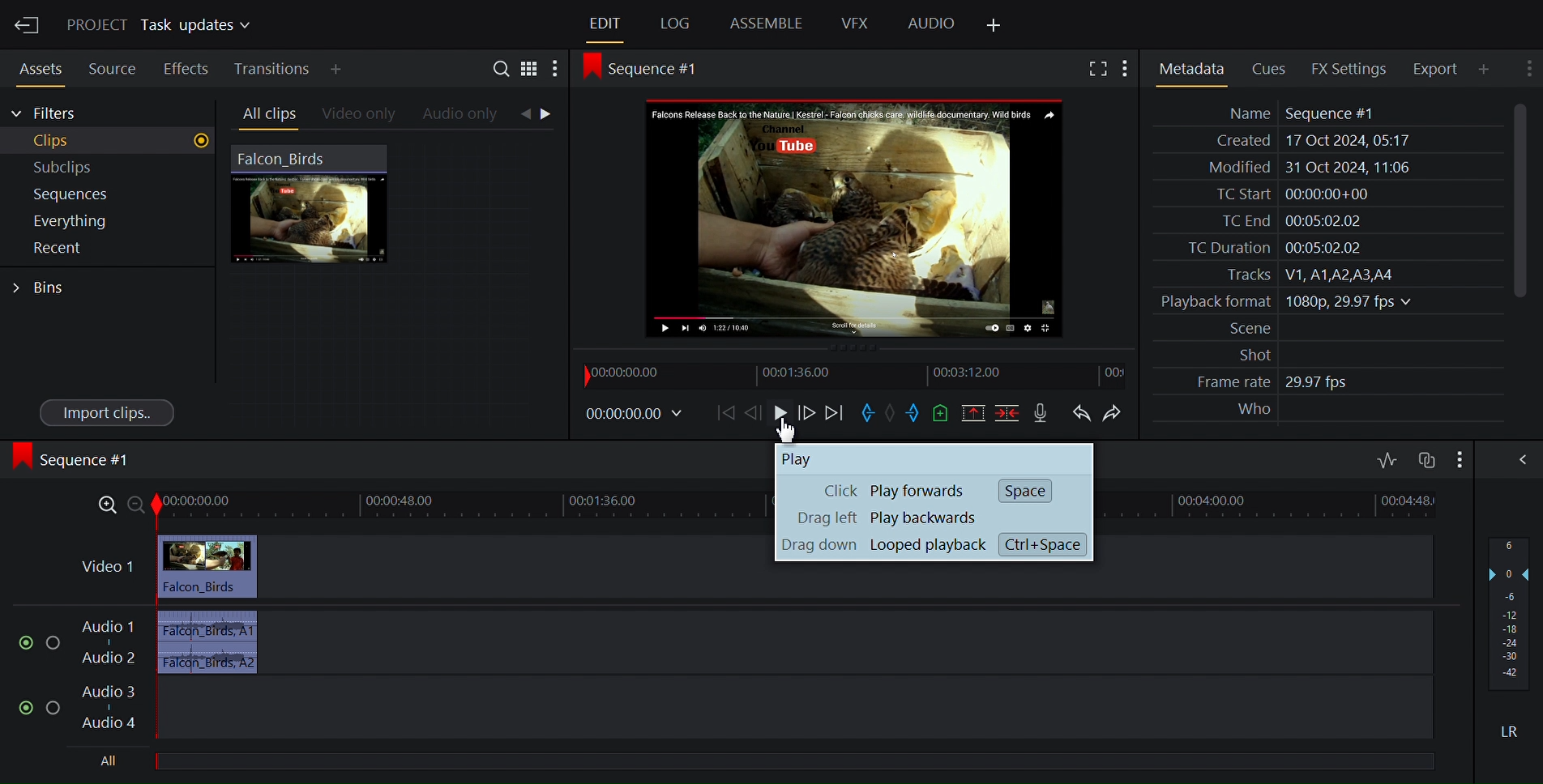 Image resolution: width=1543 pixels, height=784 pixels. What do you see at coordinates (500, 66) in the screenshot?
I see `Search in assets and bins` at bounding box center [500, 66].